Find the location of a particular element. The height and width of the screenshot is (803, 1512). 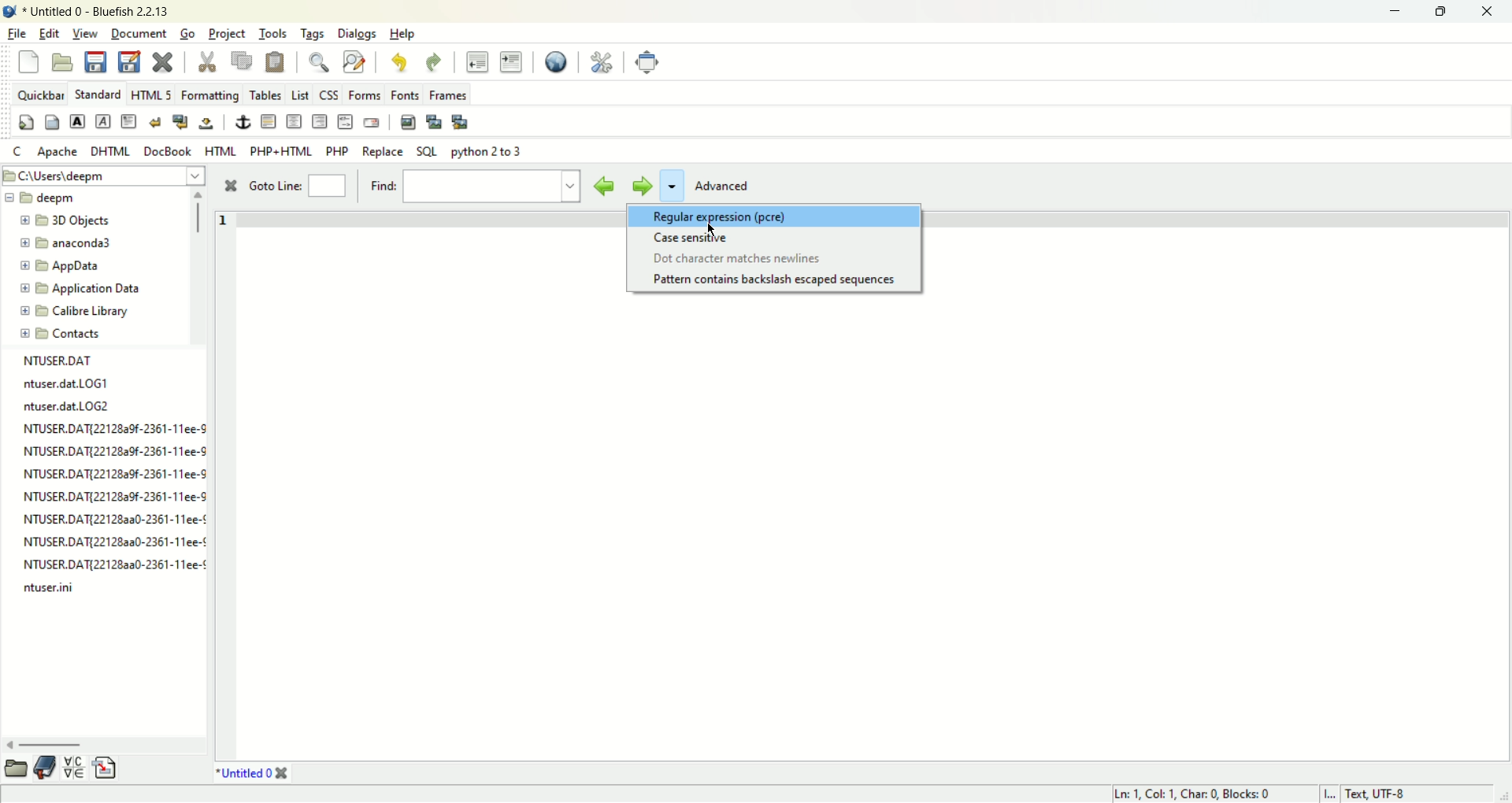

docbook is located at coordinates (170, 150).